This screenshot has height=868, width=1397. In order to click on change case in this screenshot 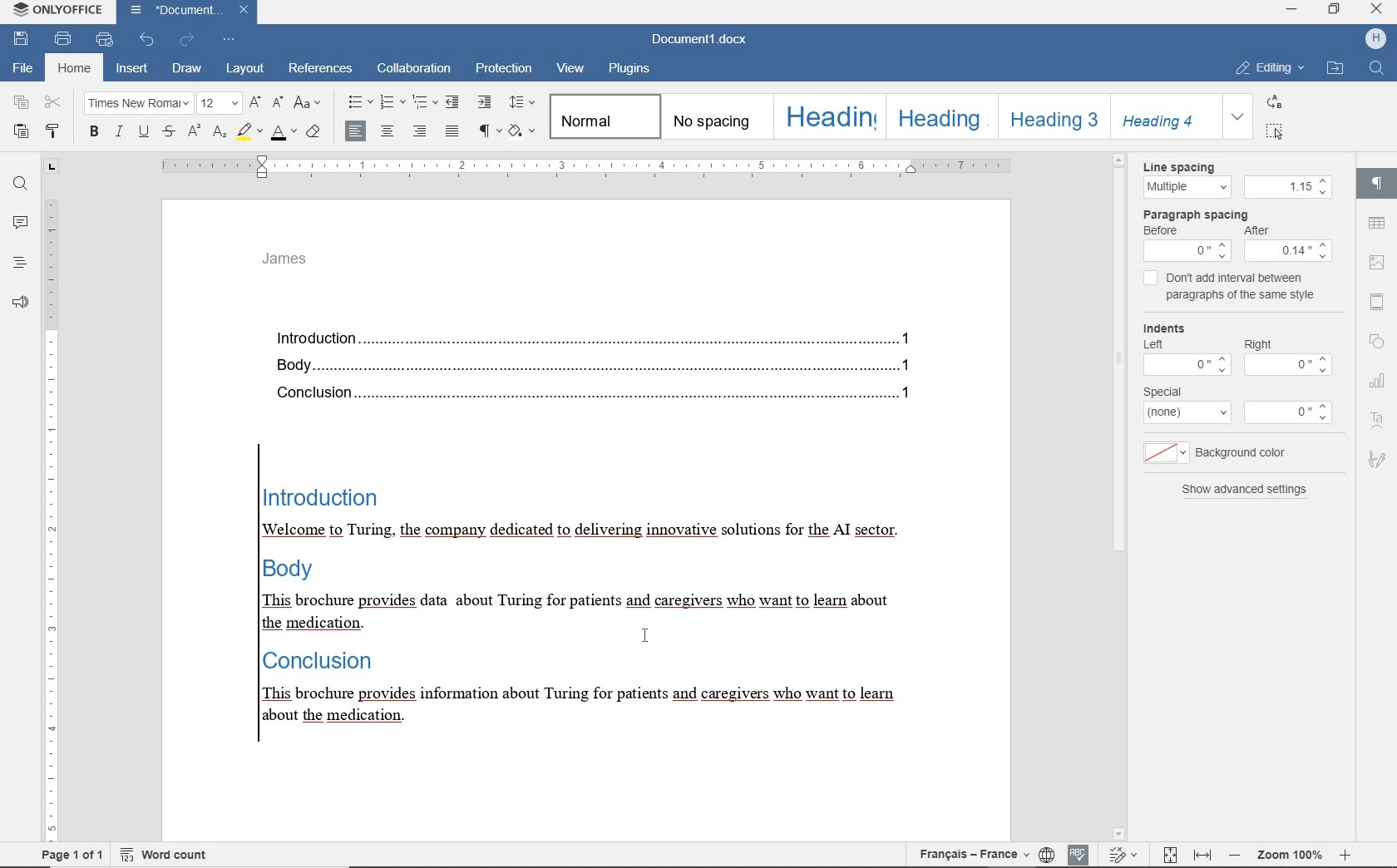, I will do `click(309, 102)`.